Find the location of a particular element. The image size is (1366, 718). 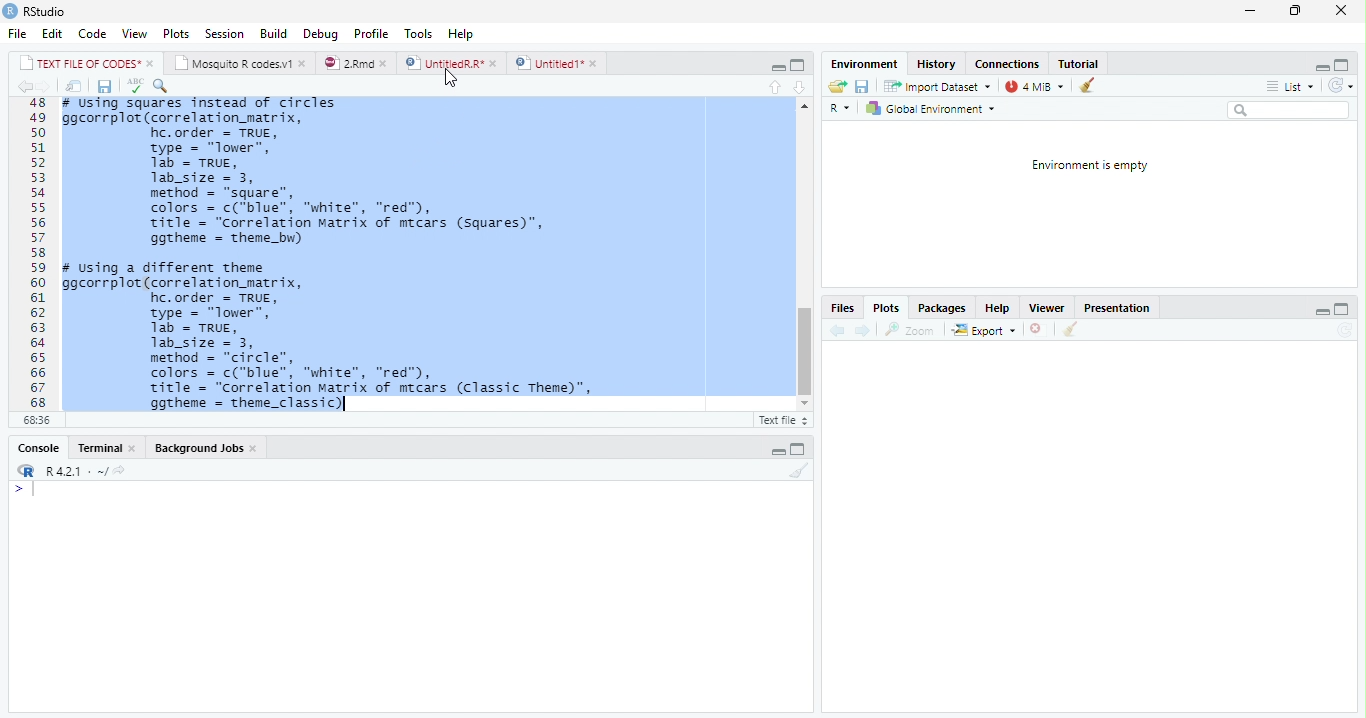

2rmd is located at coordinates (356, 62).